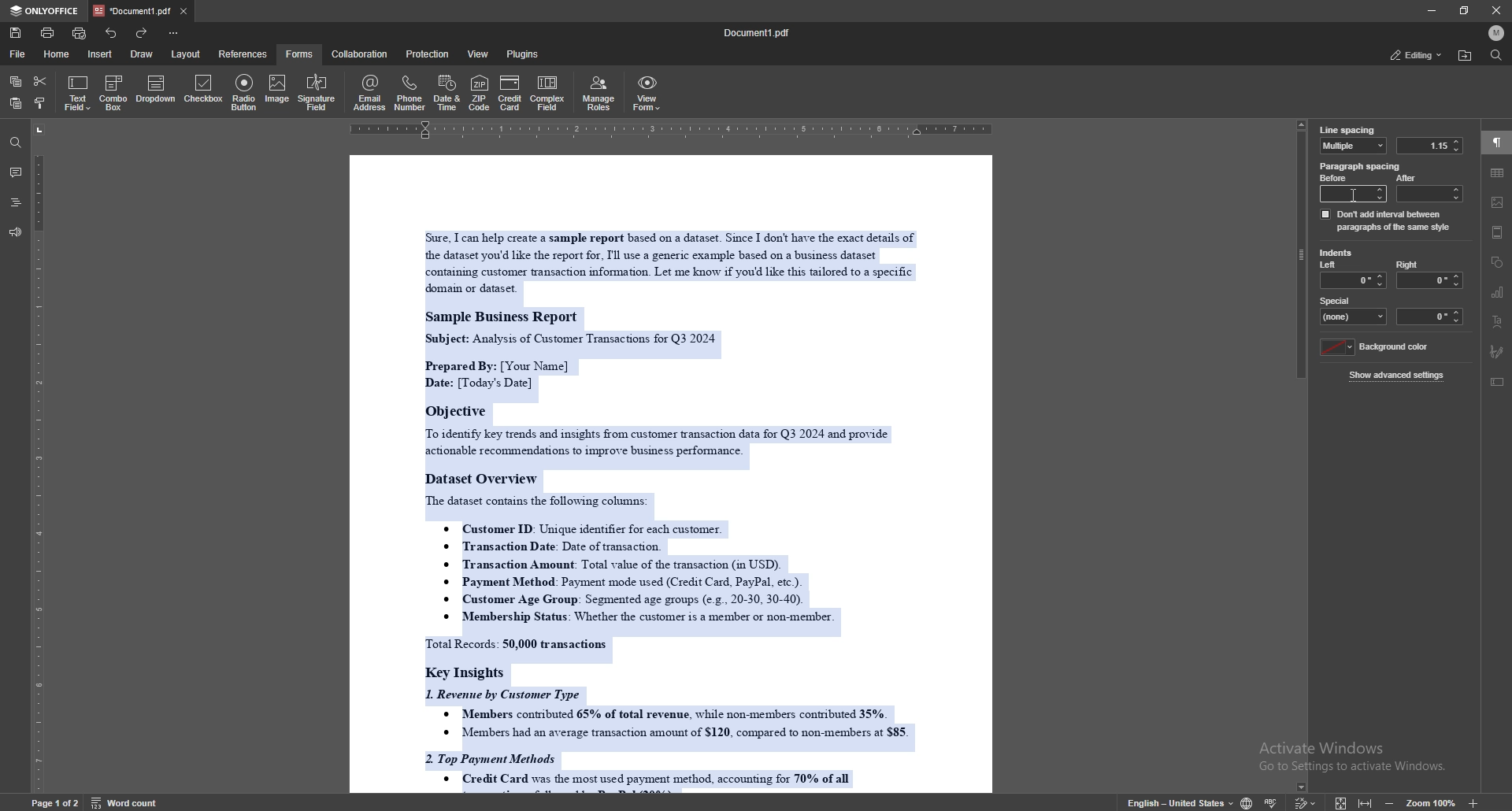  What do you see at coordinates (1180, 802) in the screenshot?
I see `change text language` at bounding box center [1180, 802].